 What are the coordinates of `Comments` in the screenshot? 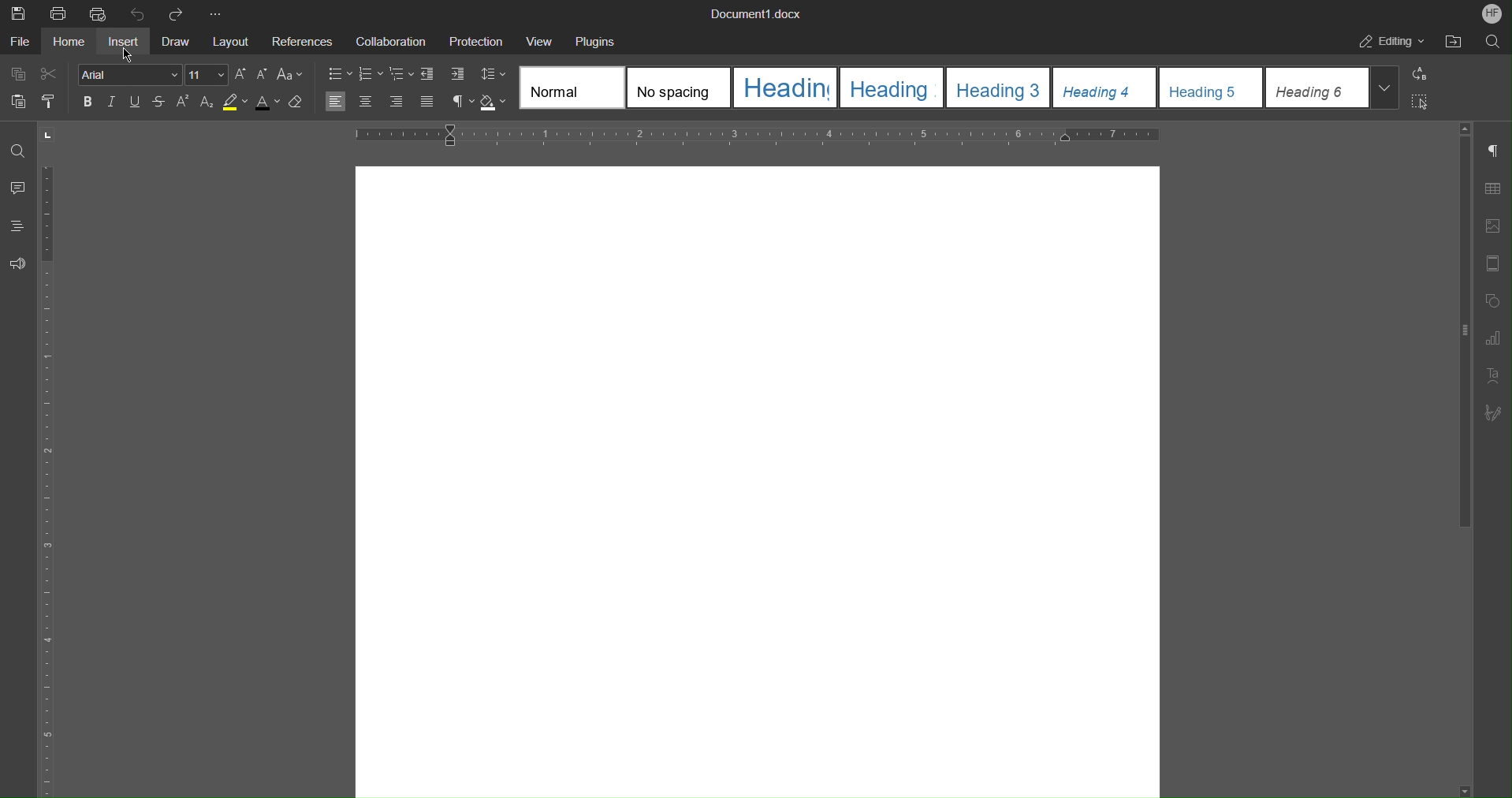 It's located at (19, 189).